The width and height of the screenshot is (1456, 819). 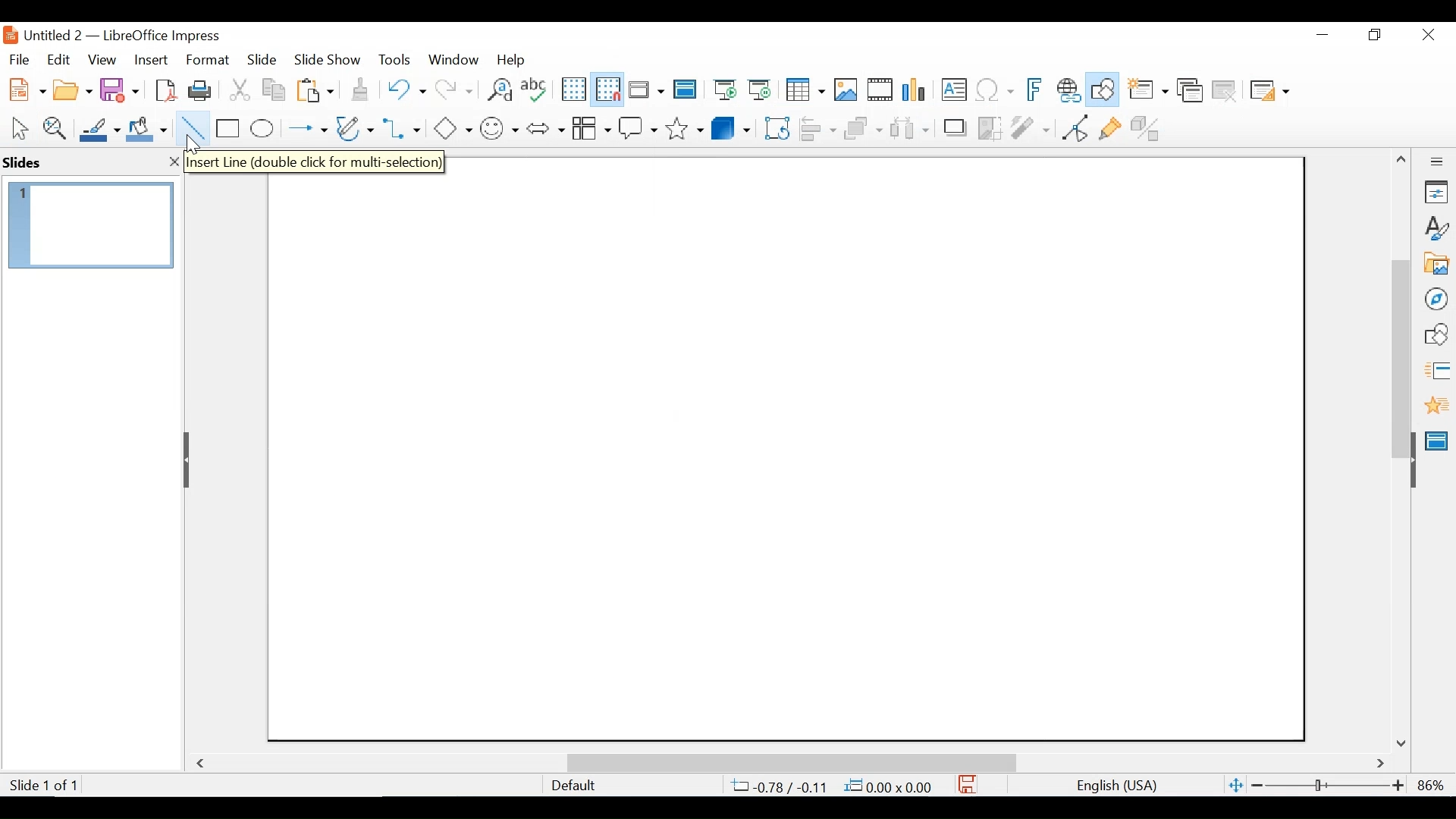 I want to click on Undo, so click(x=404, y=88).